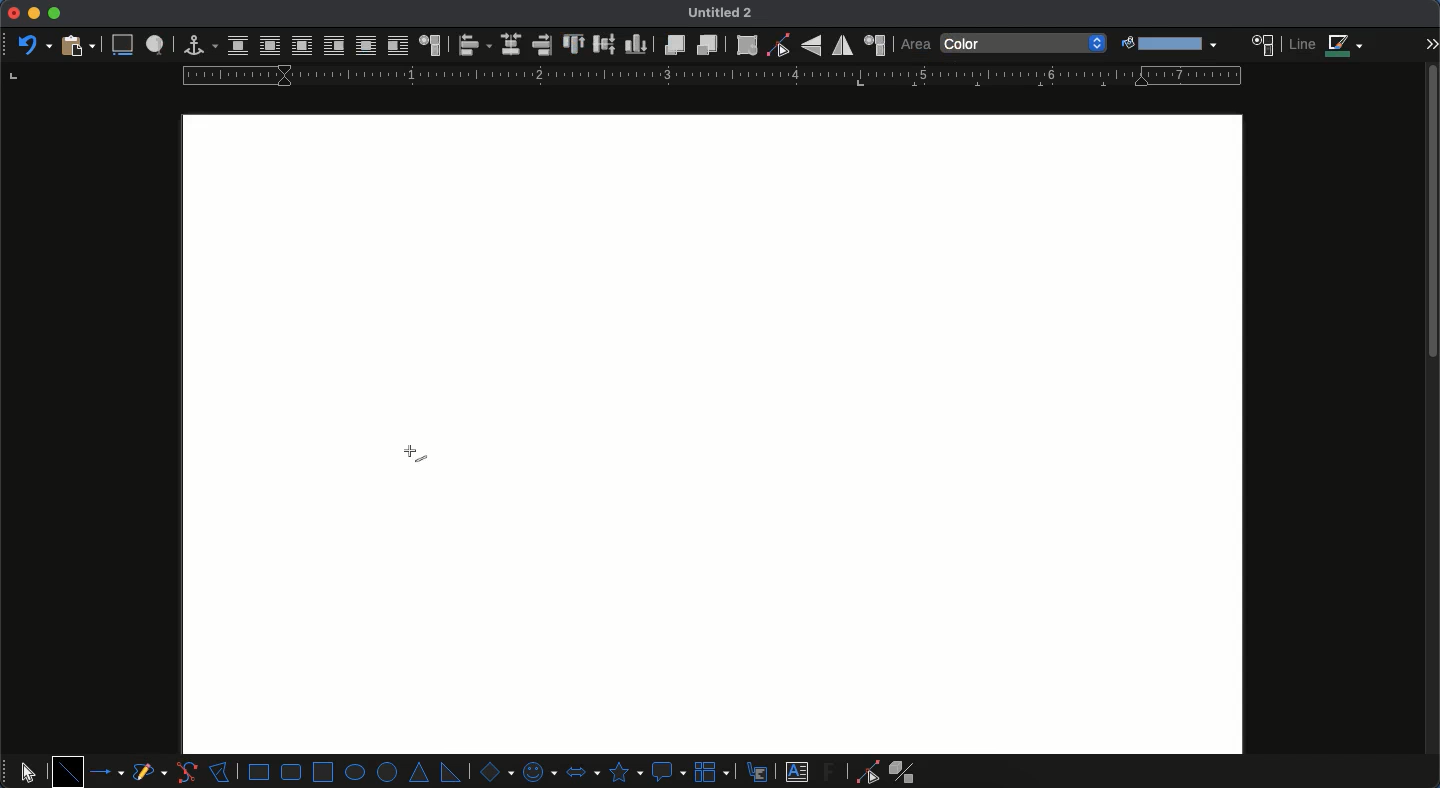 The width and height of the screenshot is (1440, 788). I want to click on after, so click(397, 45).